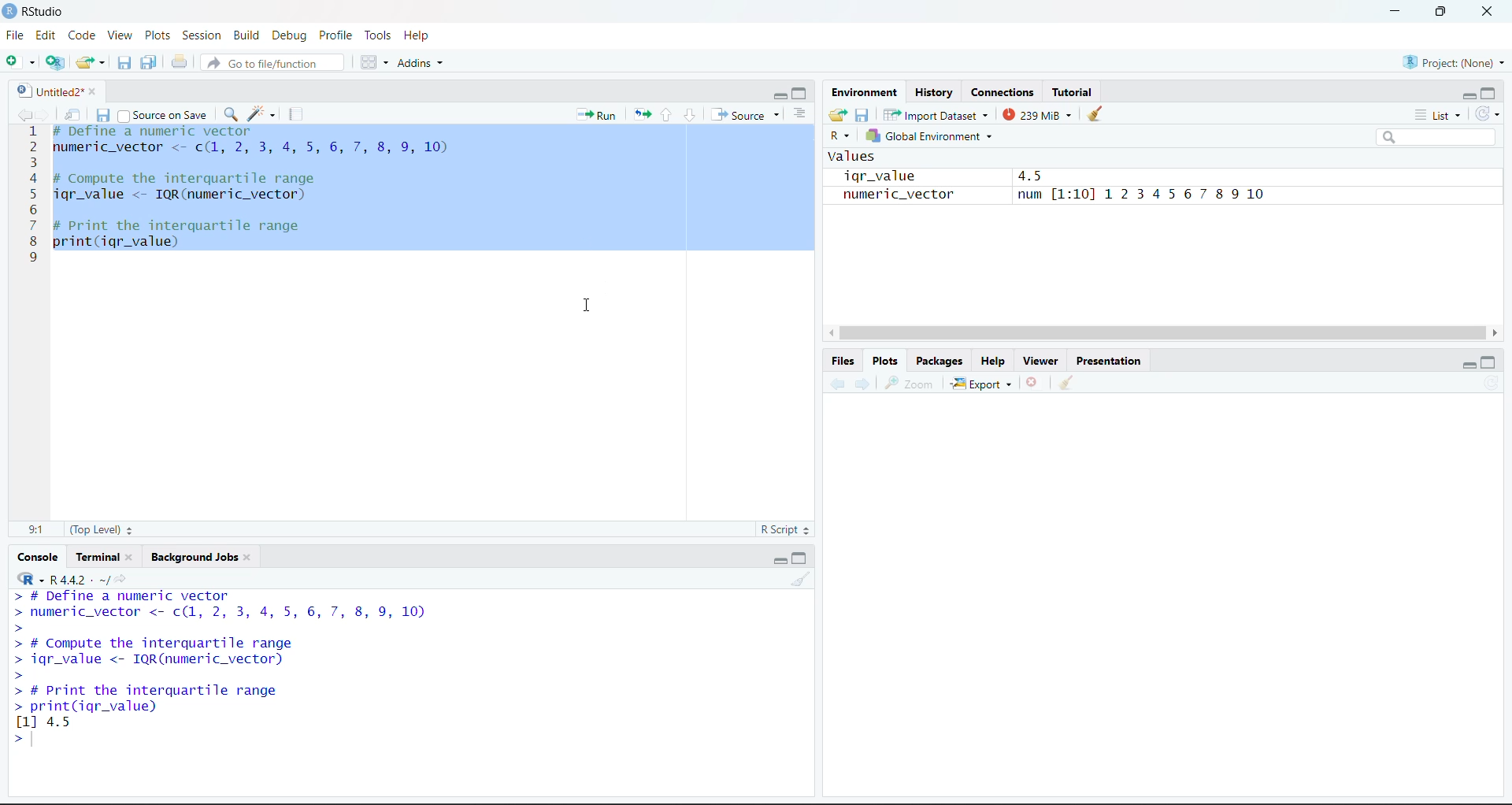 Image resolution: width=1512 pixels, height=805 pixels. Describe the element at coordinates (1046, 187) in the screenshot. I see `values
igqr_value 4.5
numeric_vector num [1:10] 1234567 8910` at that location.